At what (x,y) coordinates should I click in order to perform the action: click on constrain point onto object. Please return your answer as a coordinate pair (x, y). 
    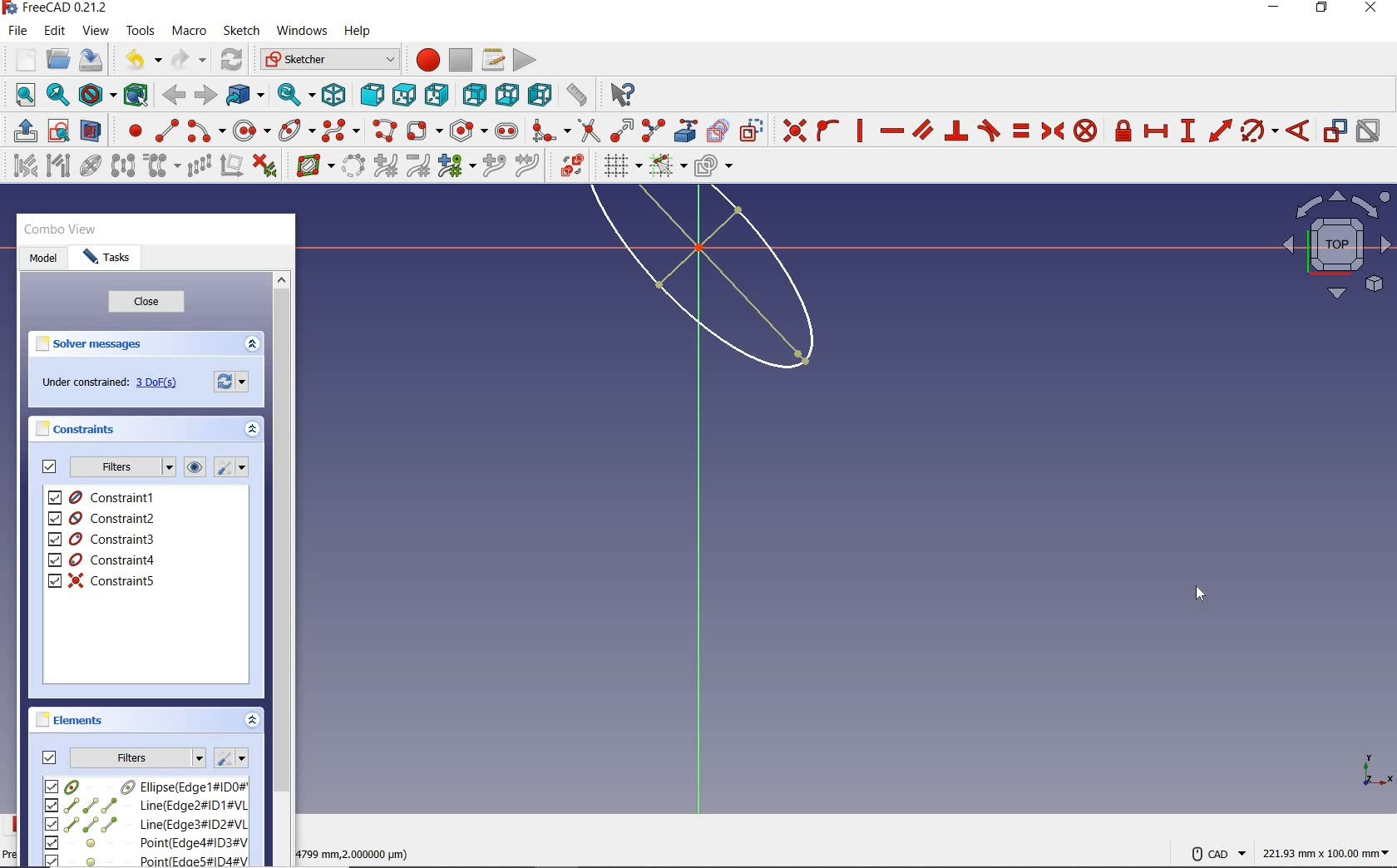
    Looking at the image, I should click on (828, 131).